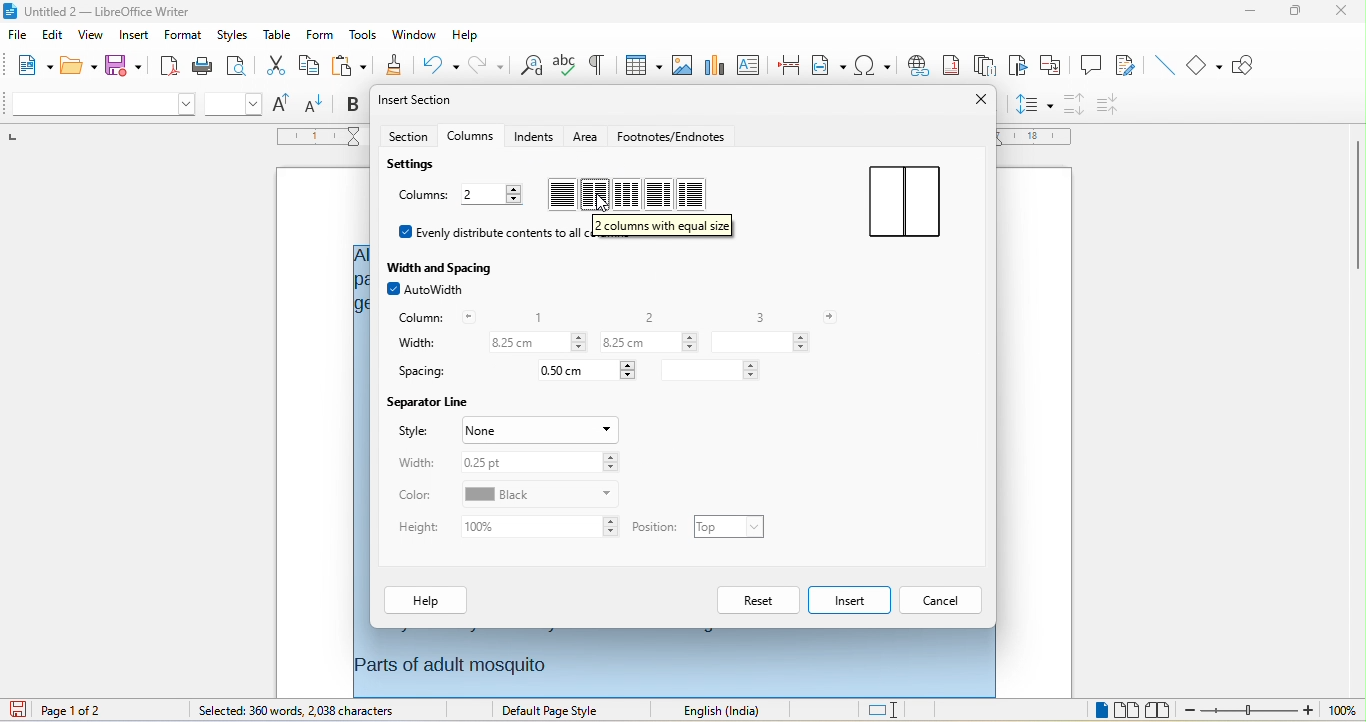 The width and height of the screenshot is (1366, 722). I want to click on vertical scrollbar, so click(1357, 205).